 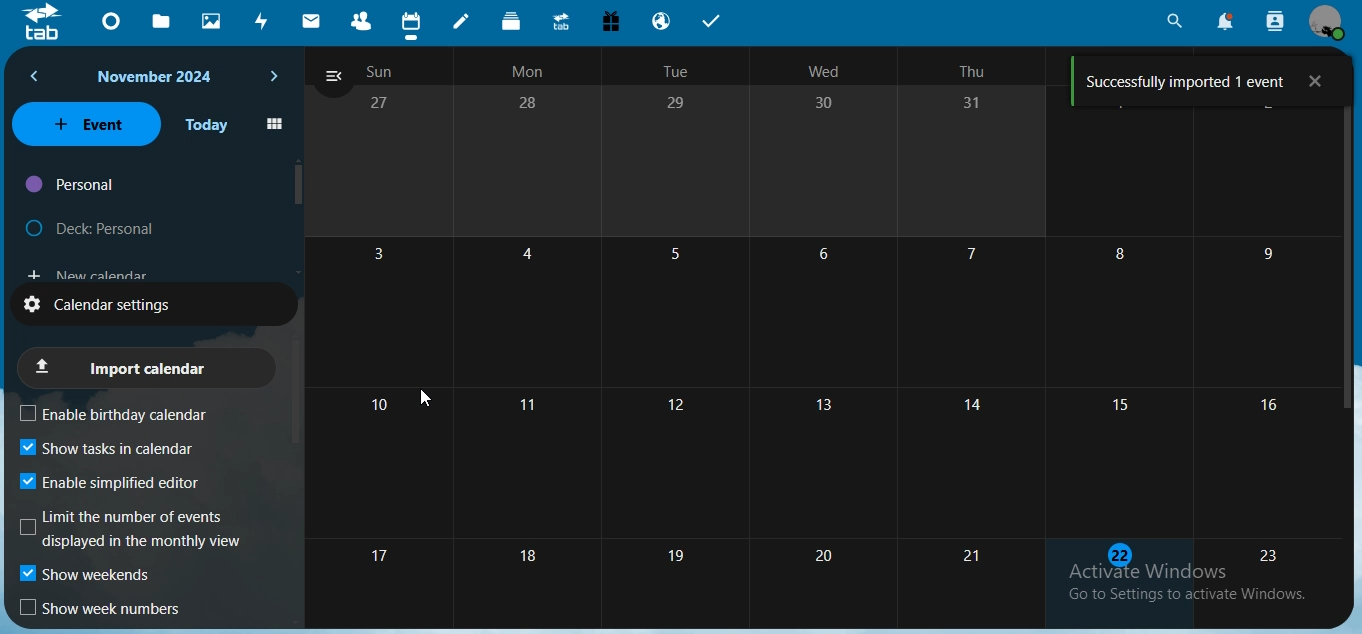 I want to click on activity, so click(x=264, y=24).